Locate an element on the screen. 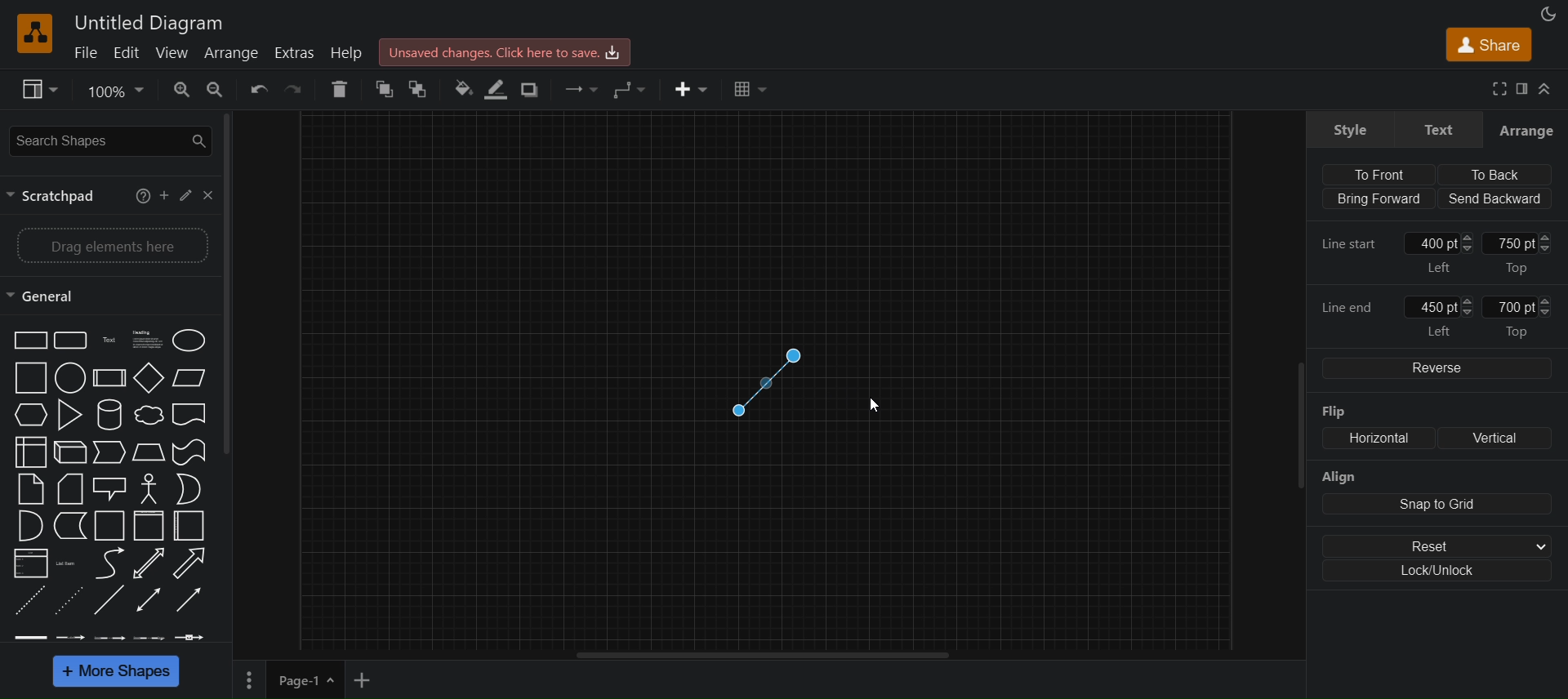  align is located at coordinates (1339, 478).